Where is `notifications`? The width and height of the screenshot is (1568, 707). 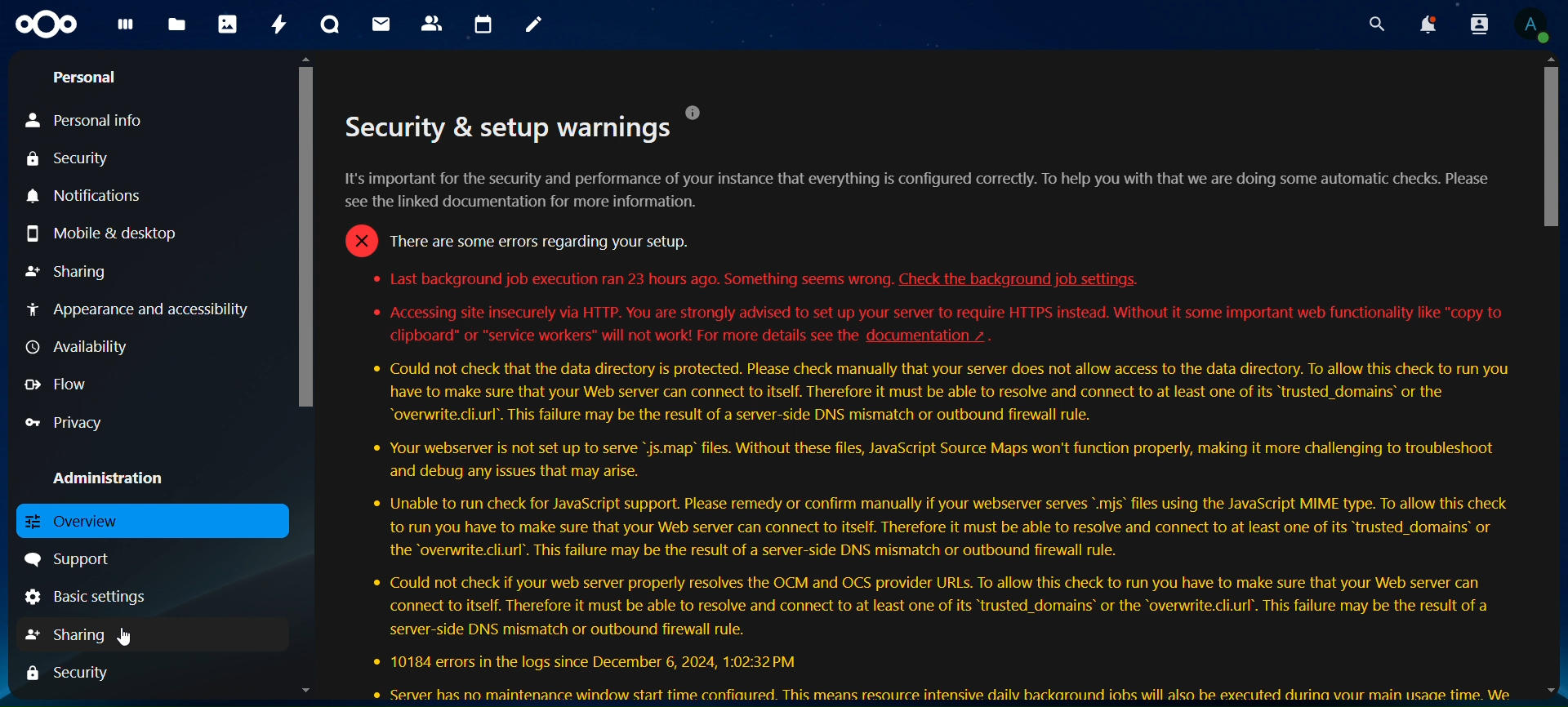
notifications is located at coordinates (97, 195).